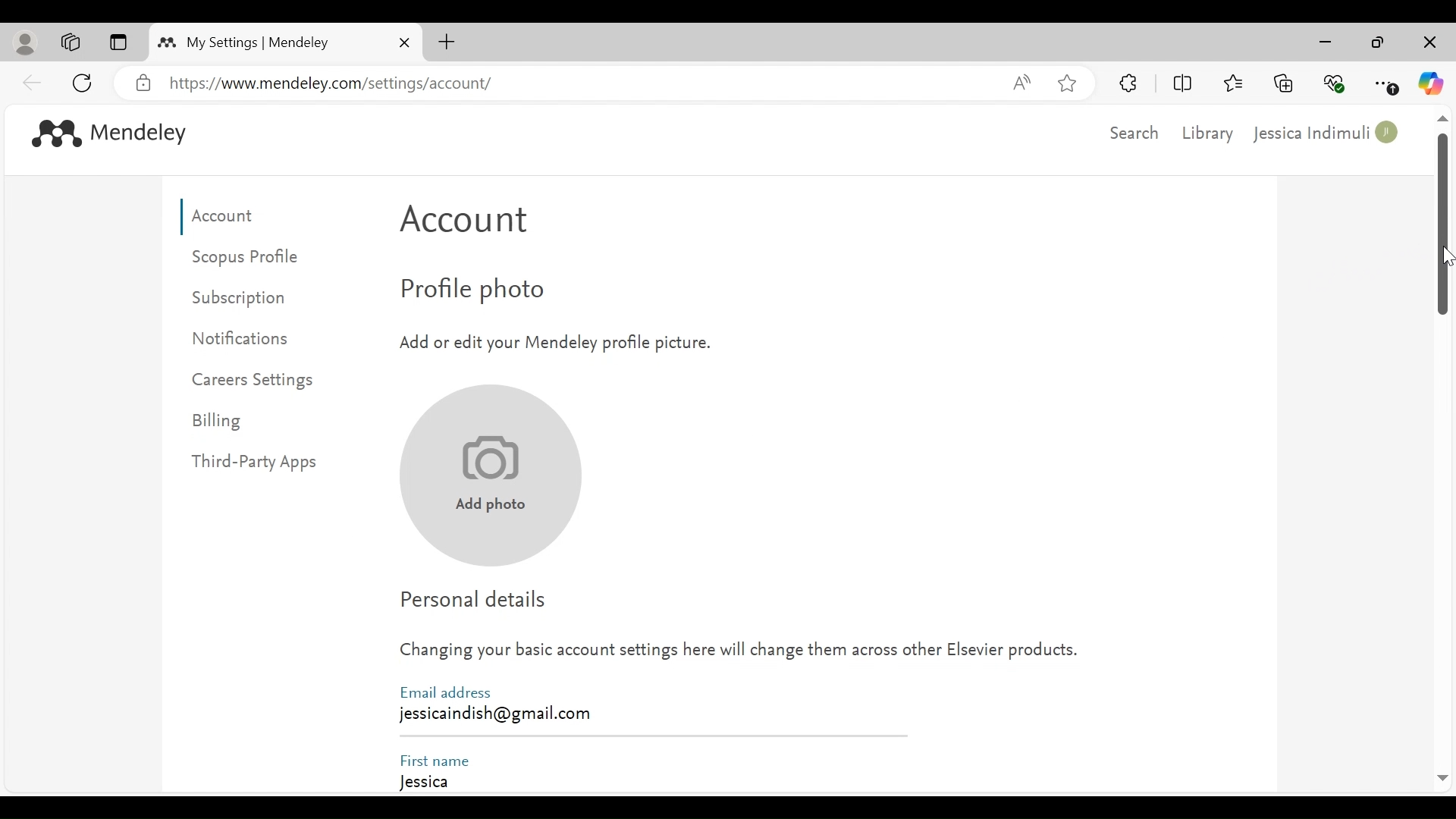 The width and height of the screenshot is (1456, 819). I want to click on Scopus Profile, so click(249, 257).